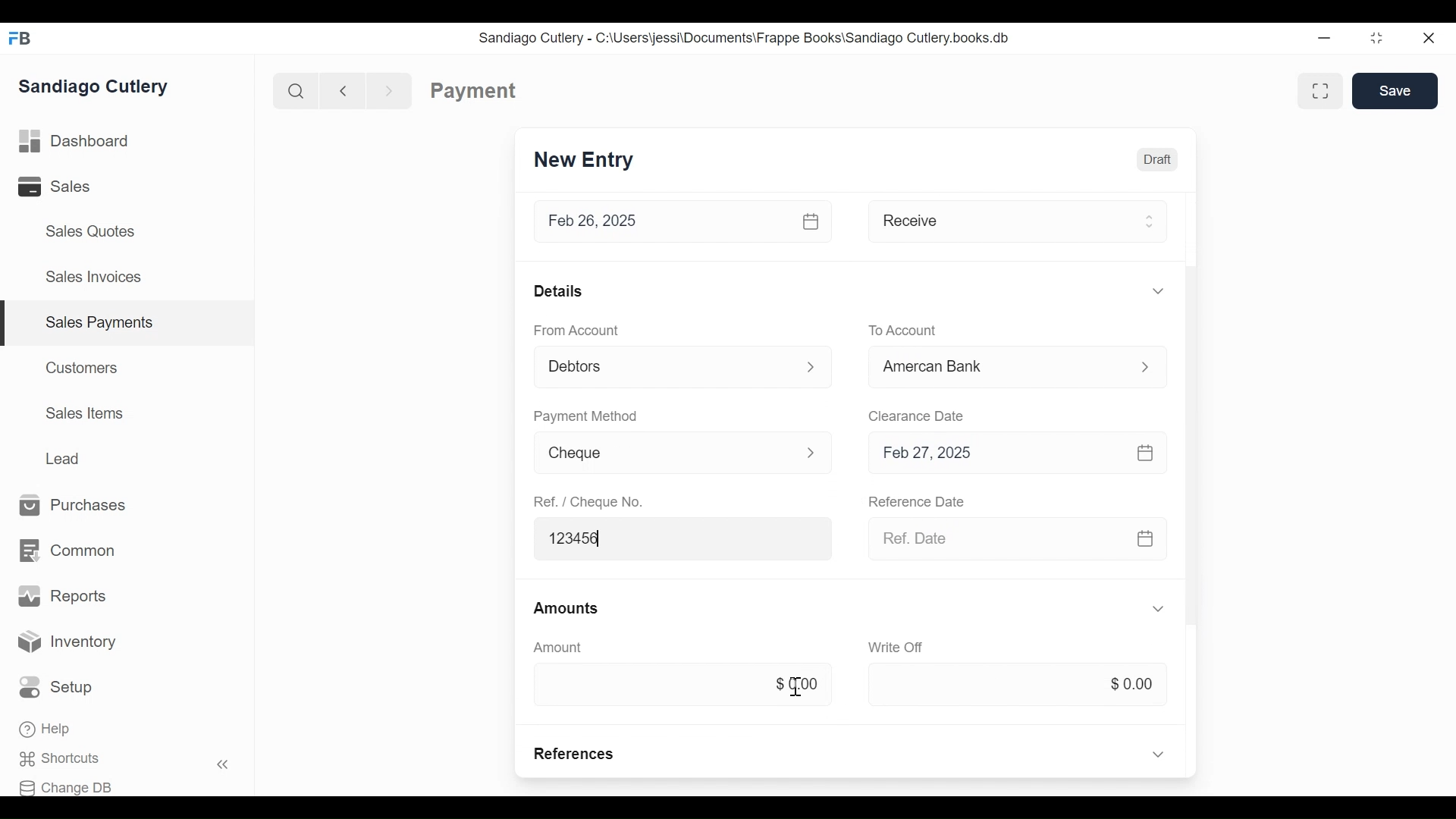 This screenshot has width=1456, height=819. I want to click on Expand, so click(811, 451).